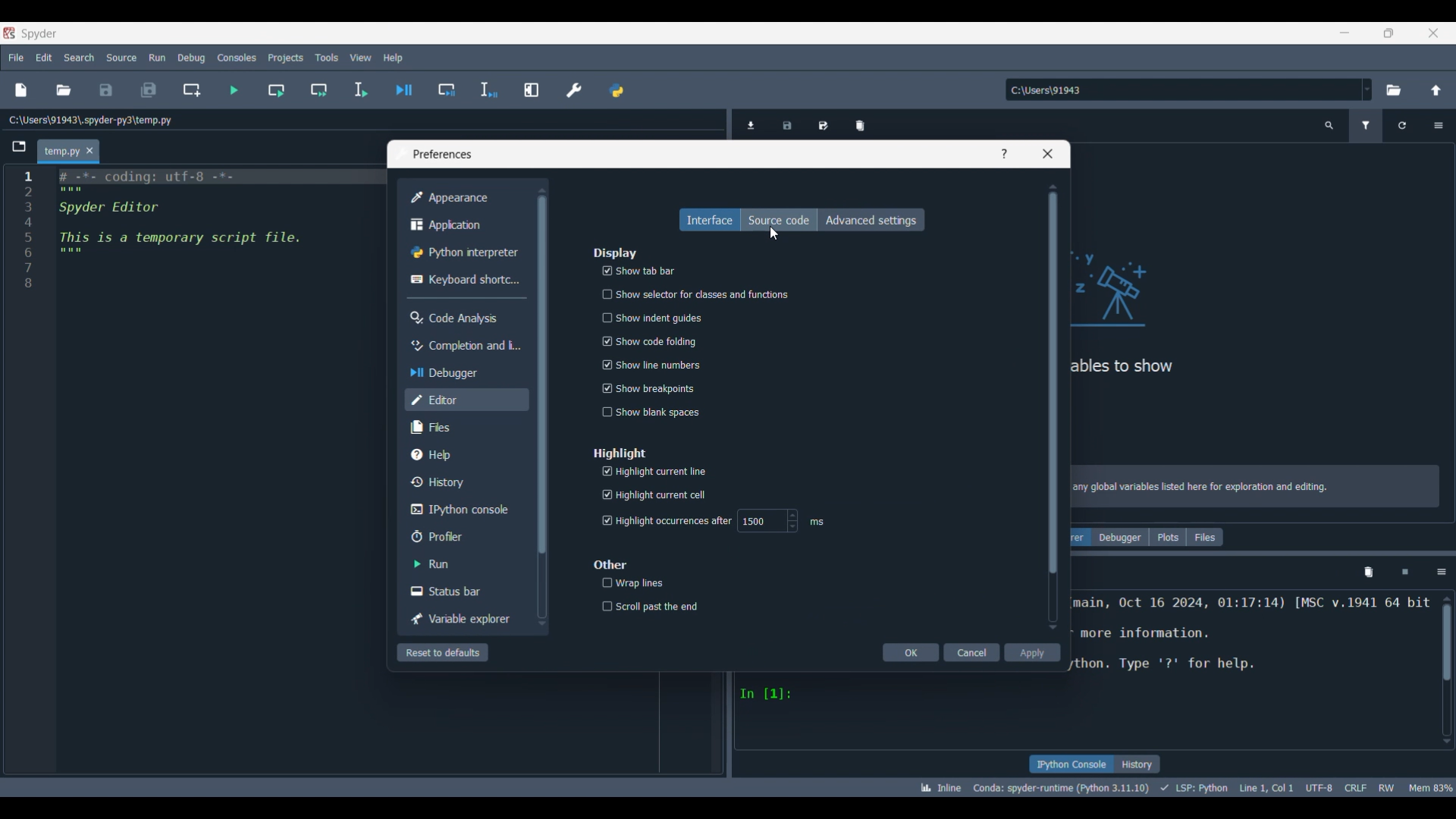  I want to click on Browse a default directory, so click(1394, 90).